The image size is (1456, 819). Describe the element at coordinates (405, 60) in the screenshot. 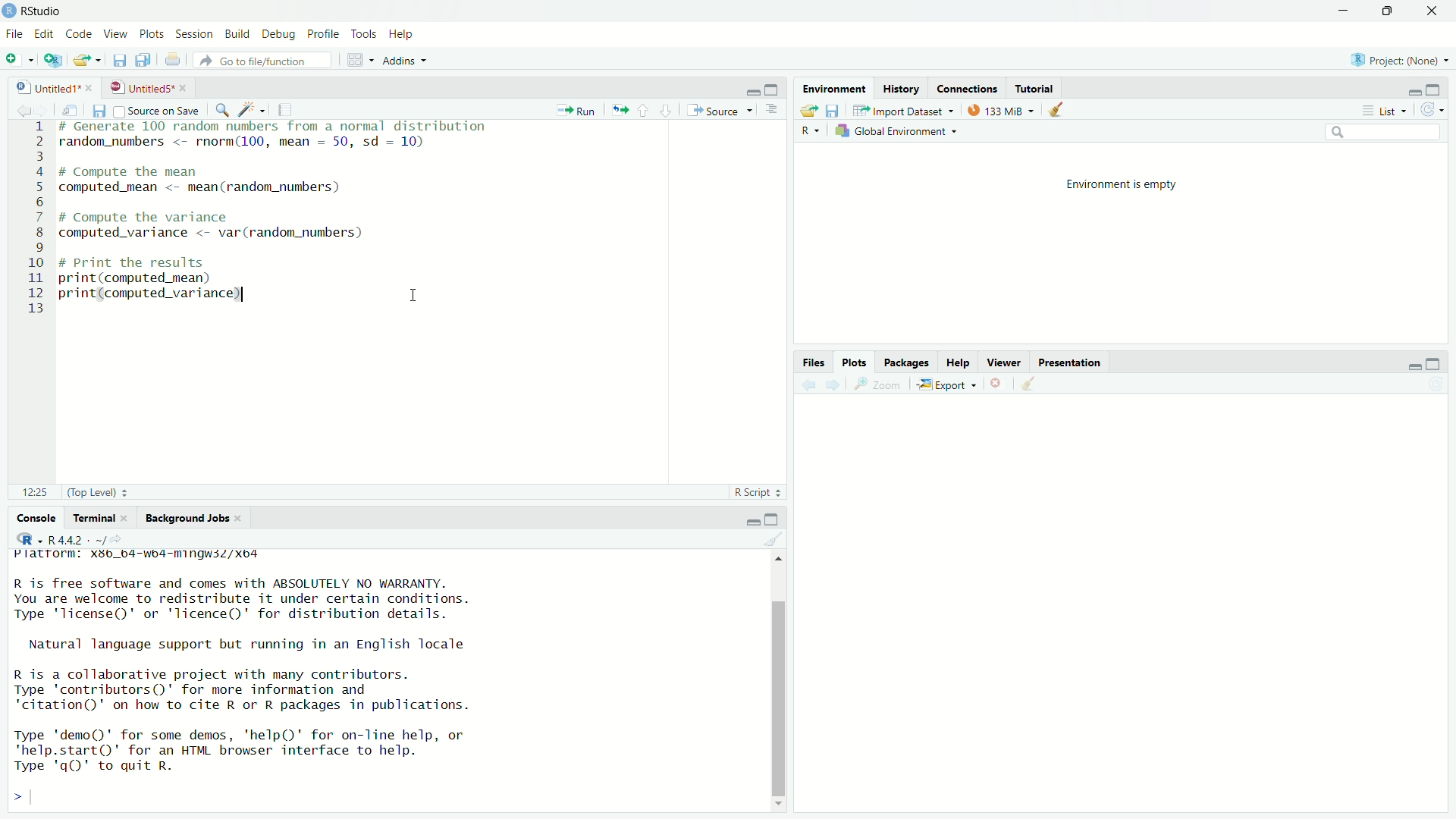

I see `addins` at that location.